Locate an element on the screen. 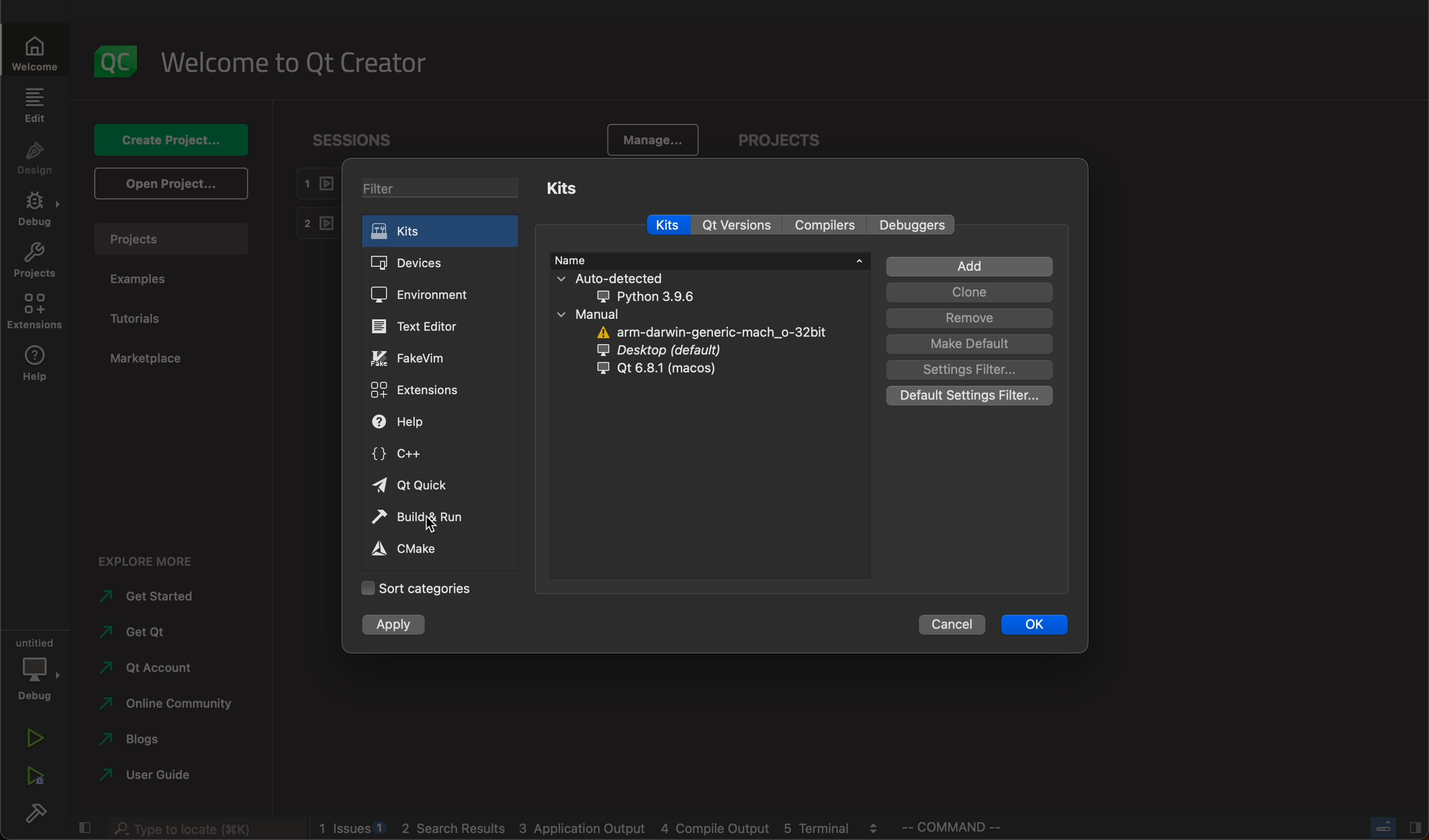 Image resolution: width=1429 pixels, height=840 pixels. welcome is located at coordinates (298, 63).